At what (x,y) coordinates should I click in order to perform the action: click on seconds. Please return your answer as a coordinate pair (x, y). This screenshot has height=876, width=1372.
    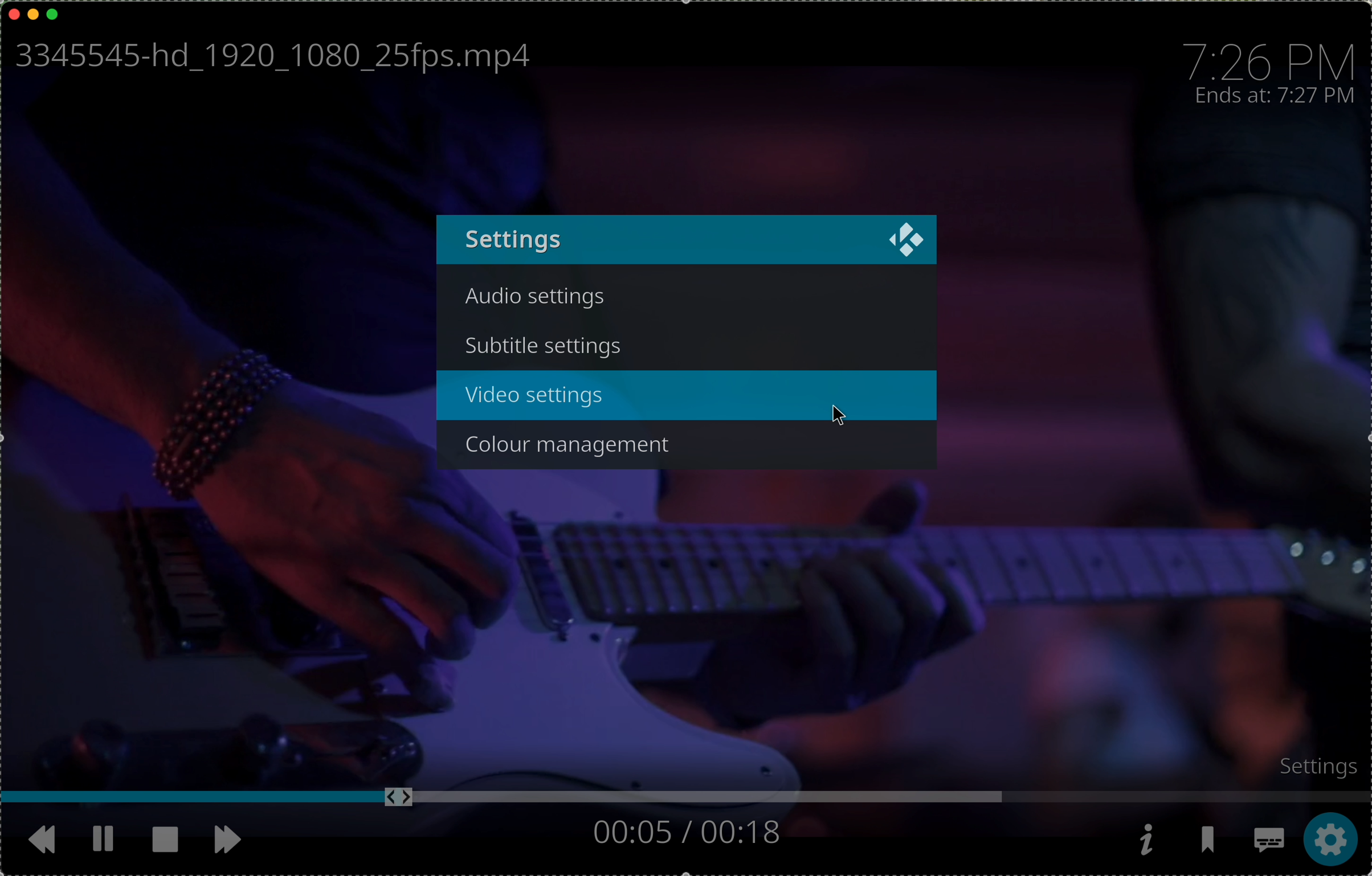
    Looking at the image, I should click on (685, 830).